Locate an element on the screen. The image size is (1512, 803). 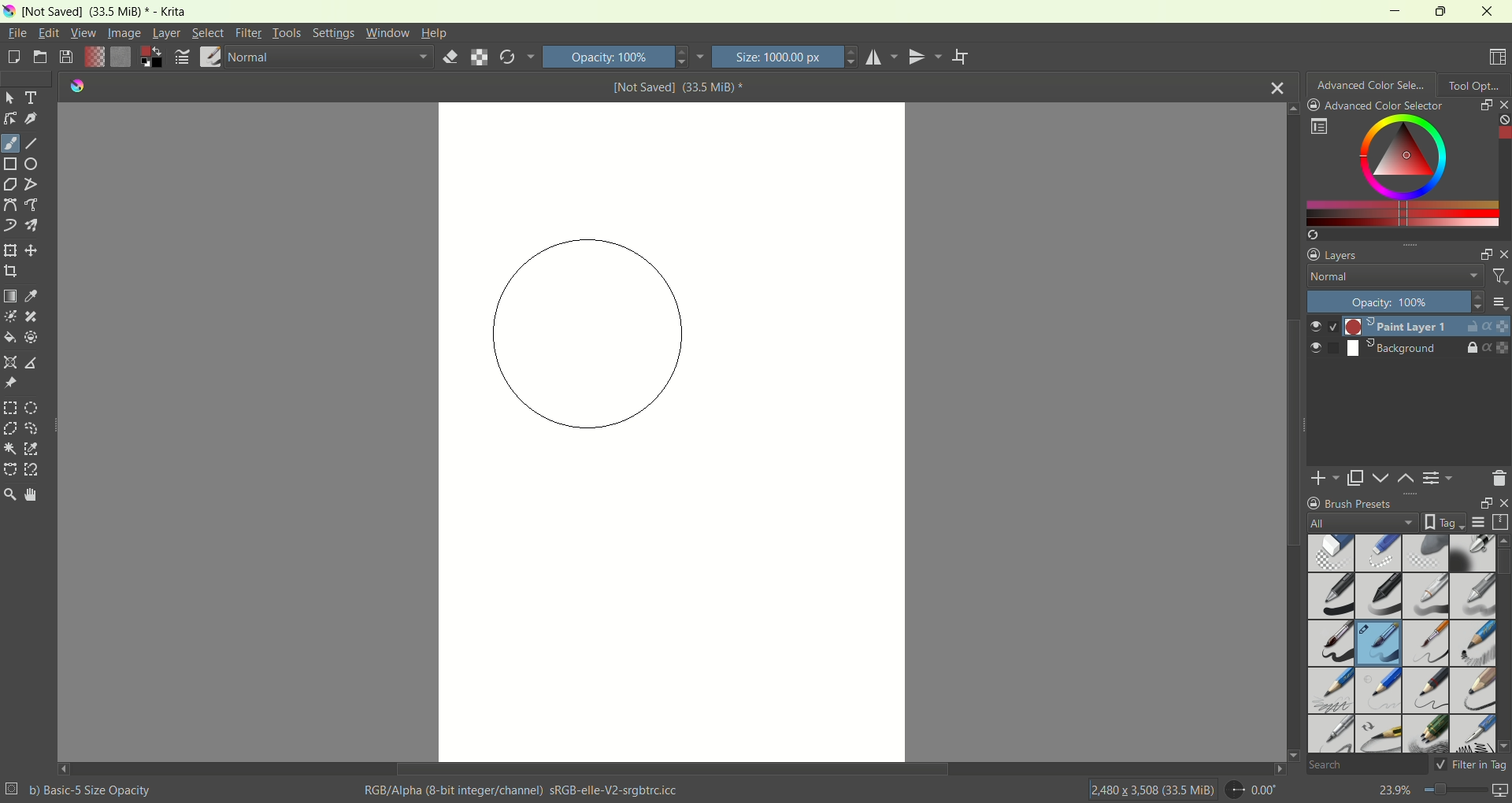
create a list of colors is located at coordinates (1408, 235).